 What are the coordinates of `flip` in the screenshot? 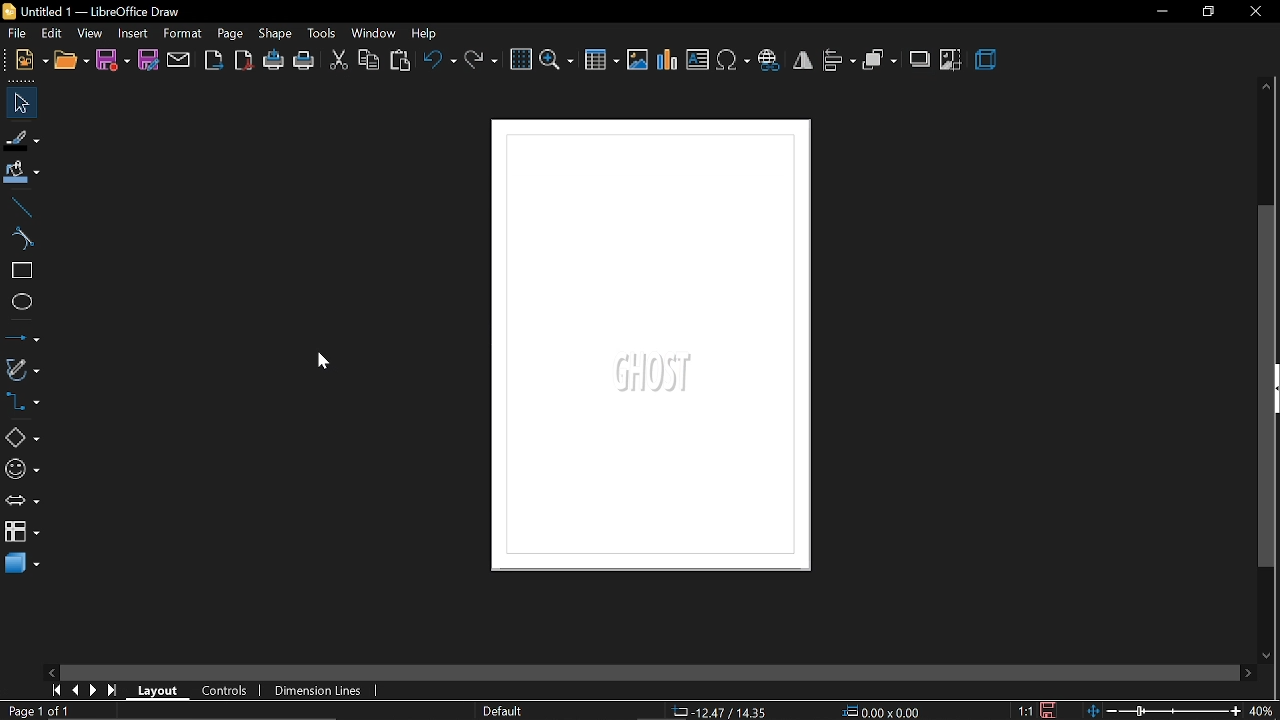 It's located at (803, 60).